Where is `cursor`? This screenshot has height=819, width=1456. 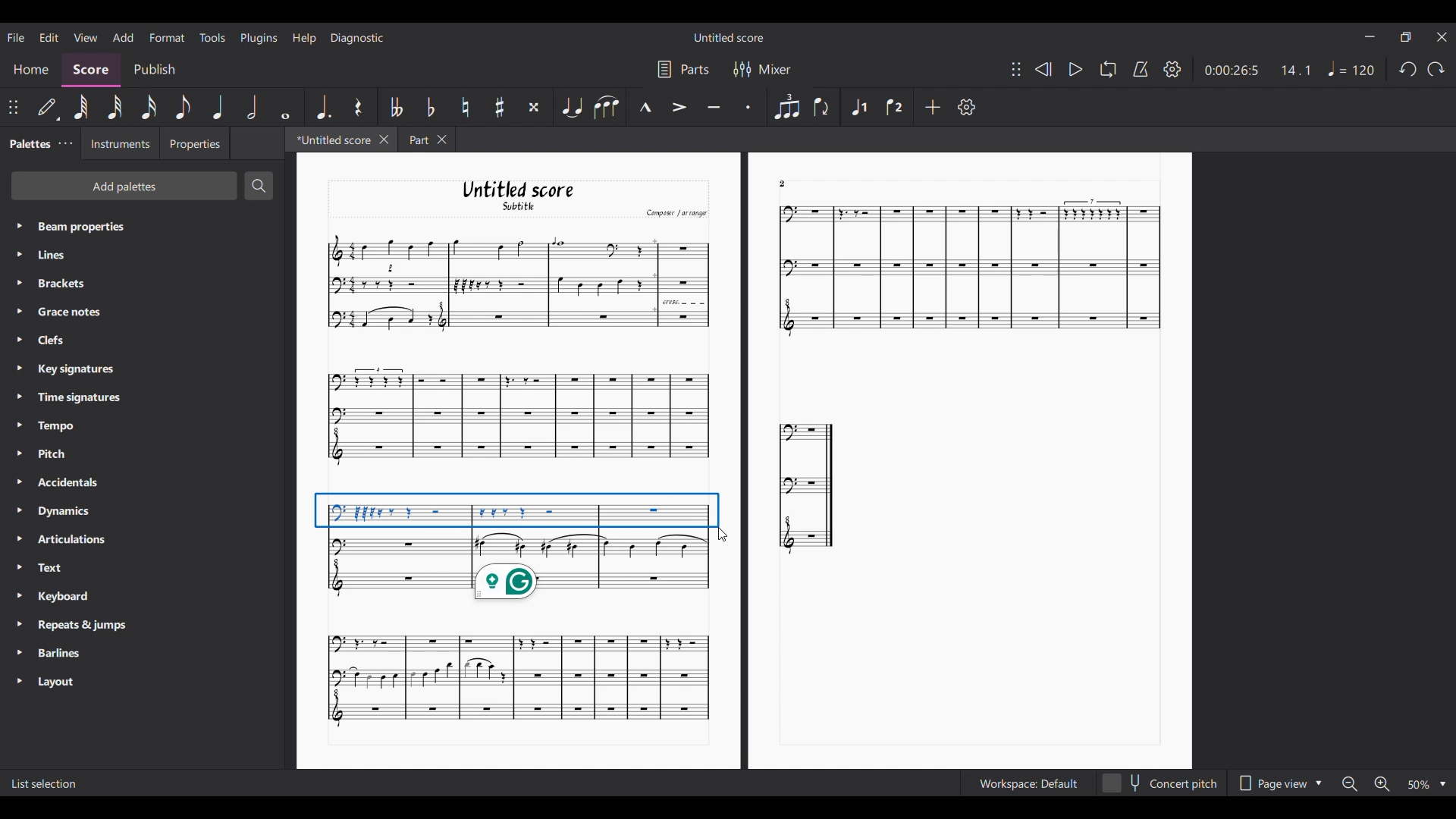
cursor is located at coordinates (724, 536).